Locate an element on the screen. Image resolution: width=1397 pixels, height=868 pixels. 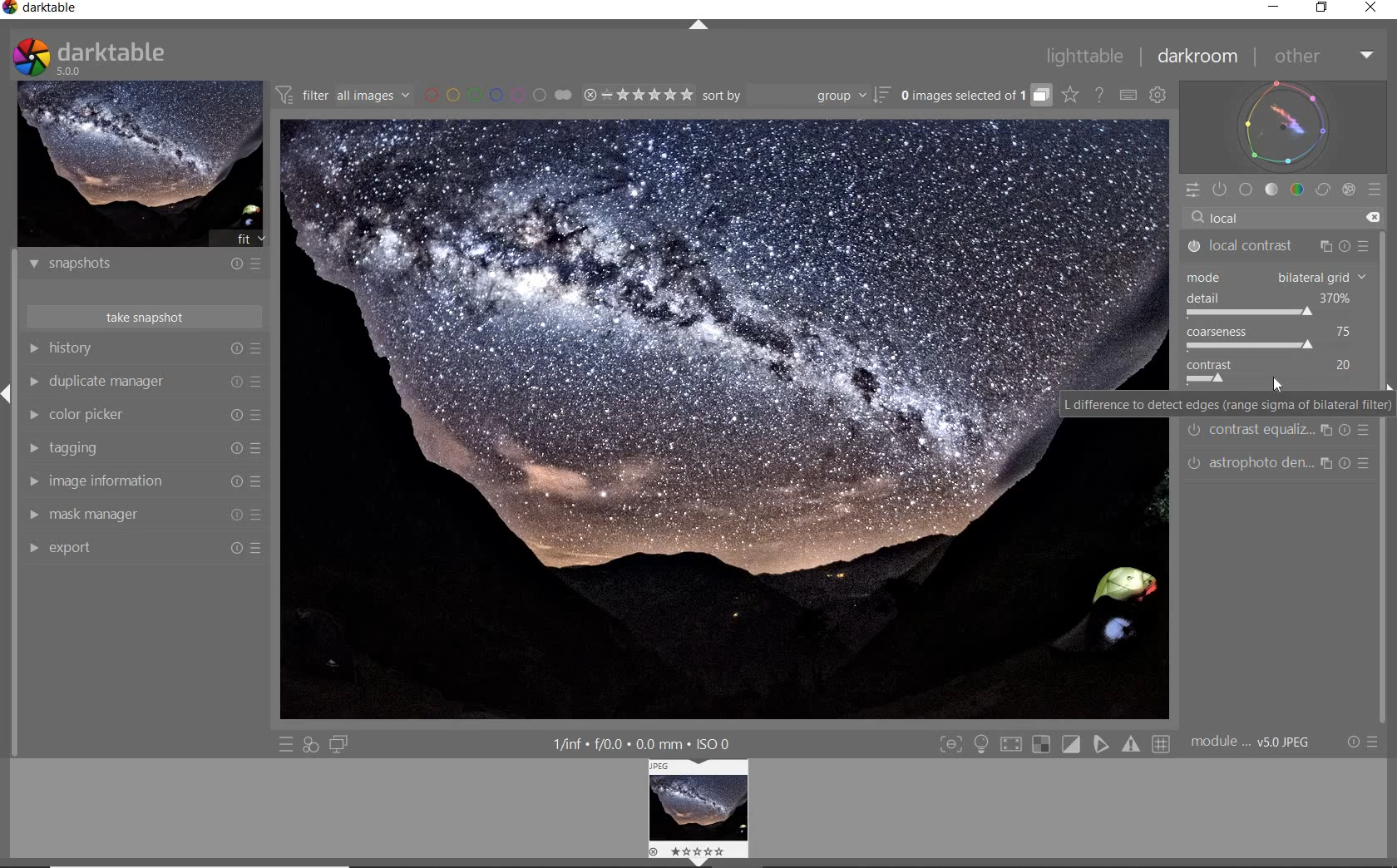
image information is located at coordinates (120, 481).